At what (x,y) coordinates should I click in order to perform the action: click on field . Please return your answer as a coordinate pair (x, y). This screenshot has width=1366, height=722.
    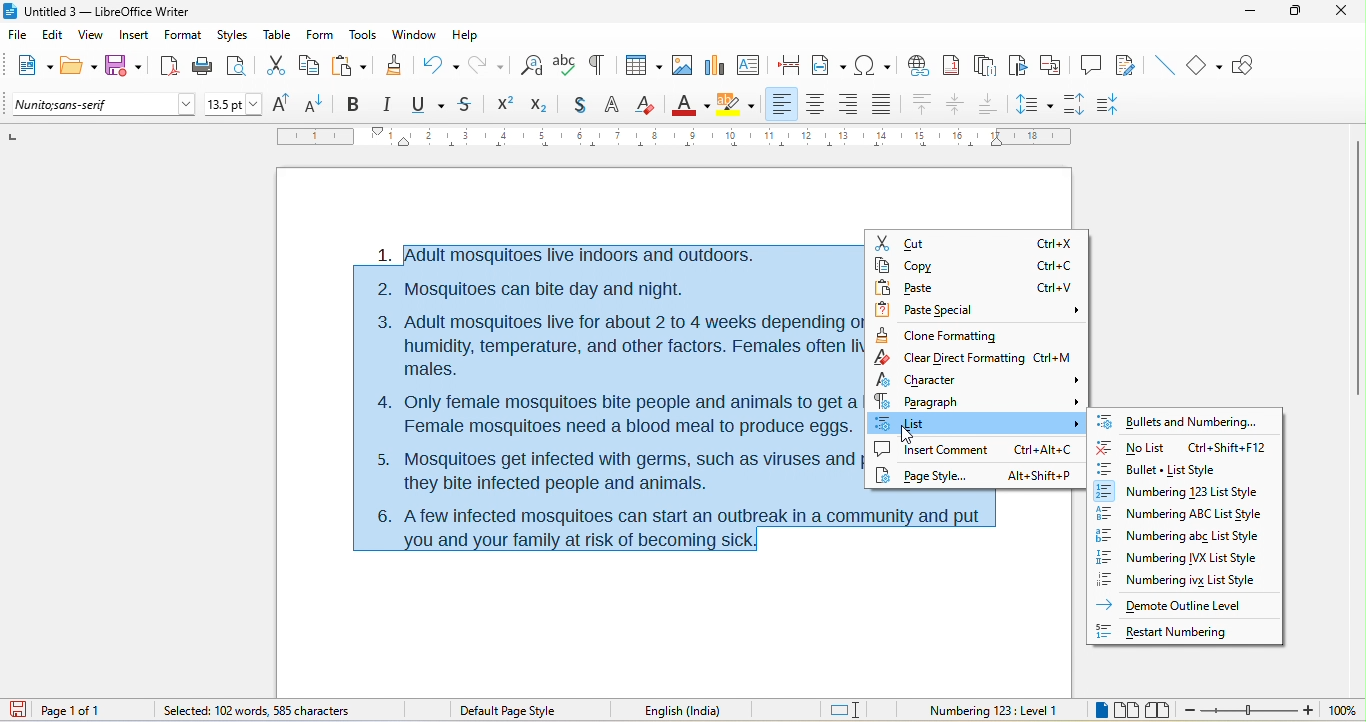
    Looking at the image, I should click on (829, 66).